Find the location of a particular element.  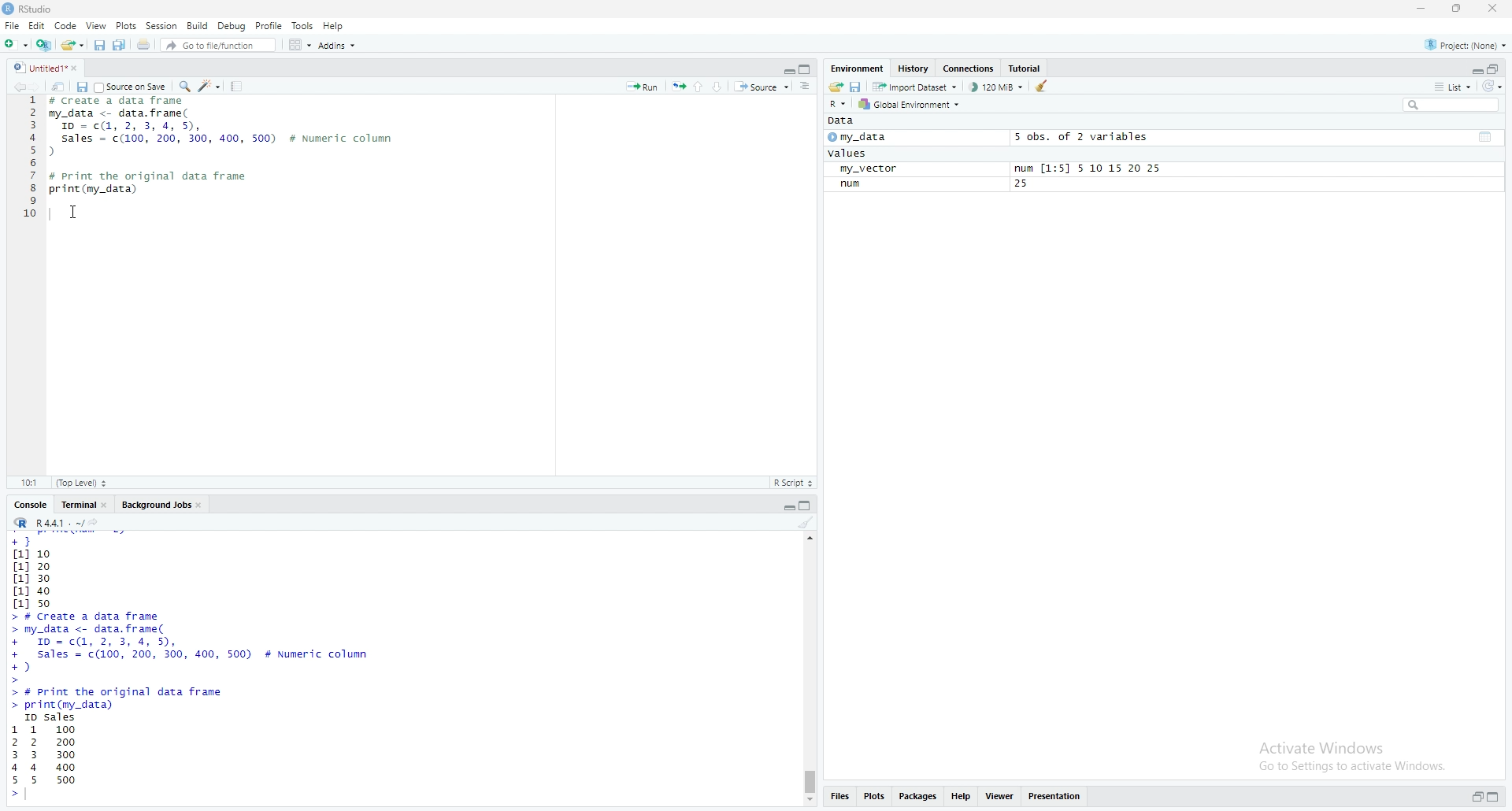

table is located at coordinates (1486, 136).